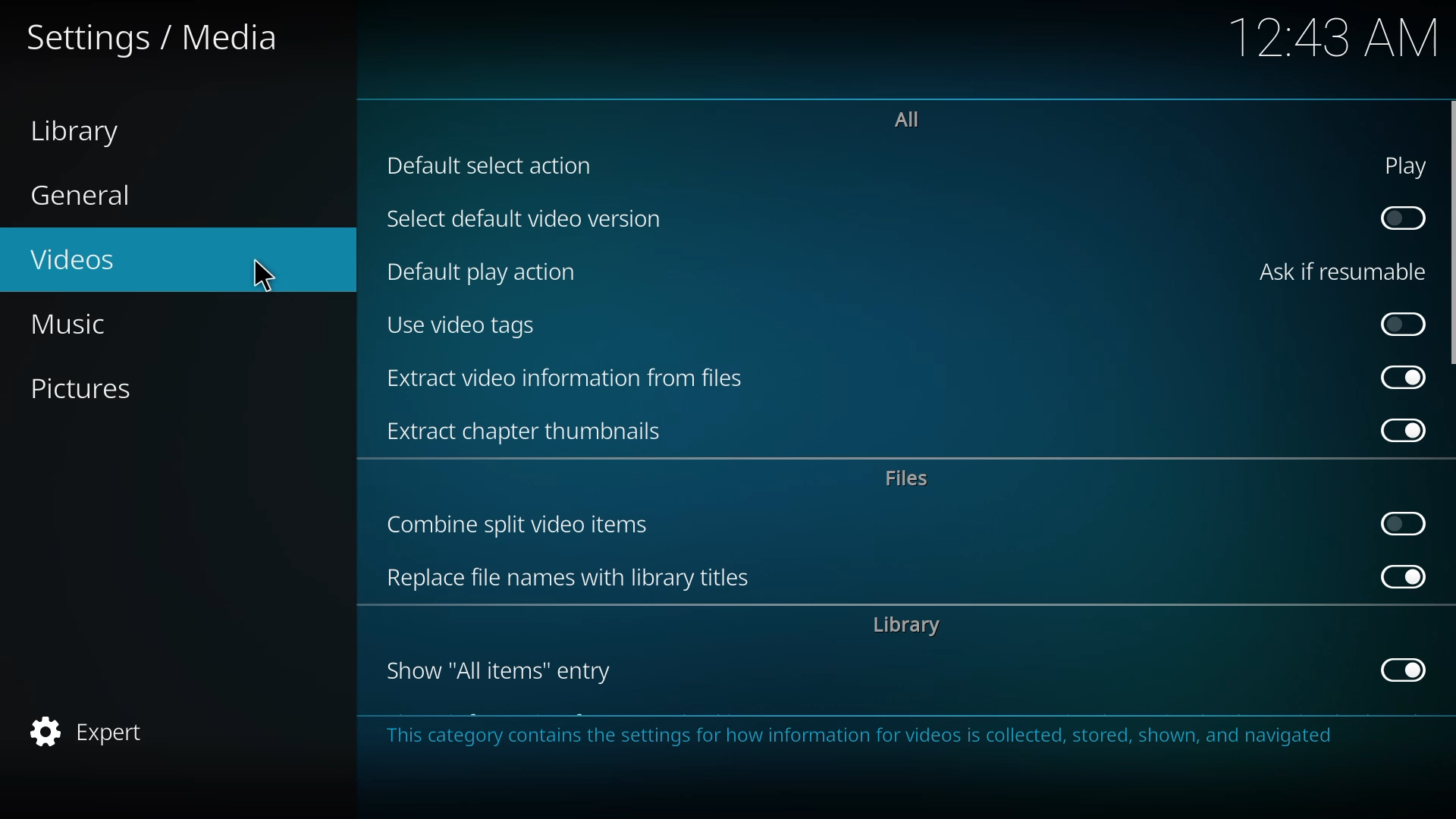  I want to click on all, so click(910, 119).